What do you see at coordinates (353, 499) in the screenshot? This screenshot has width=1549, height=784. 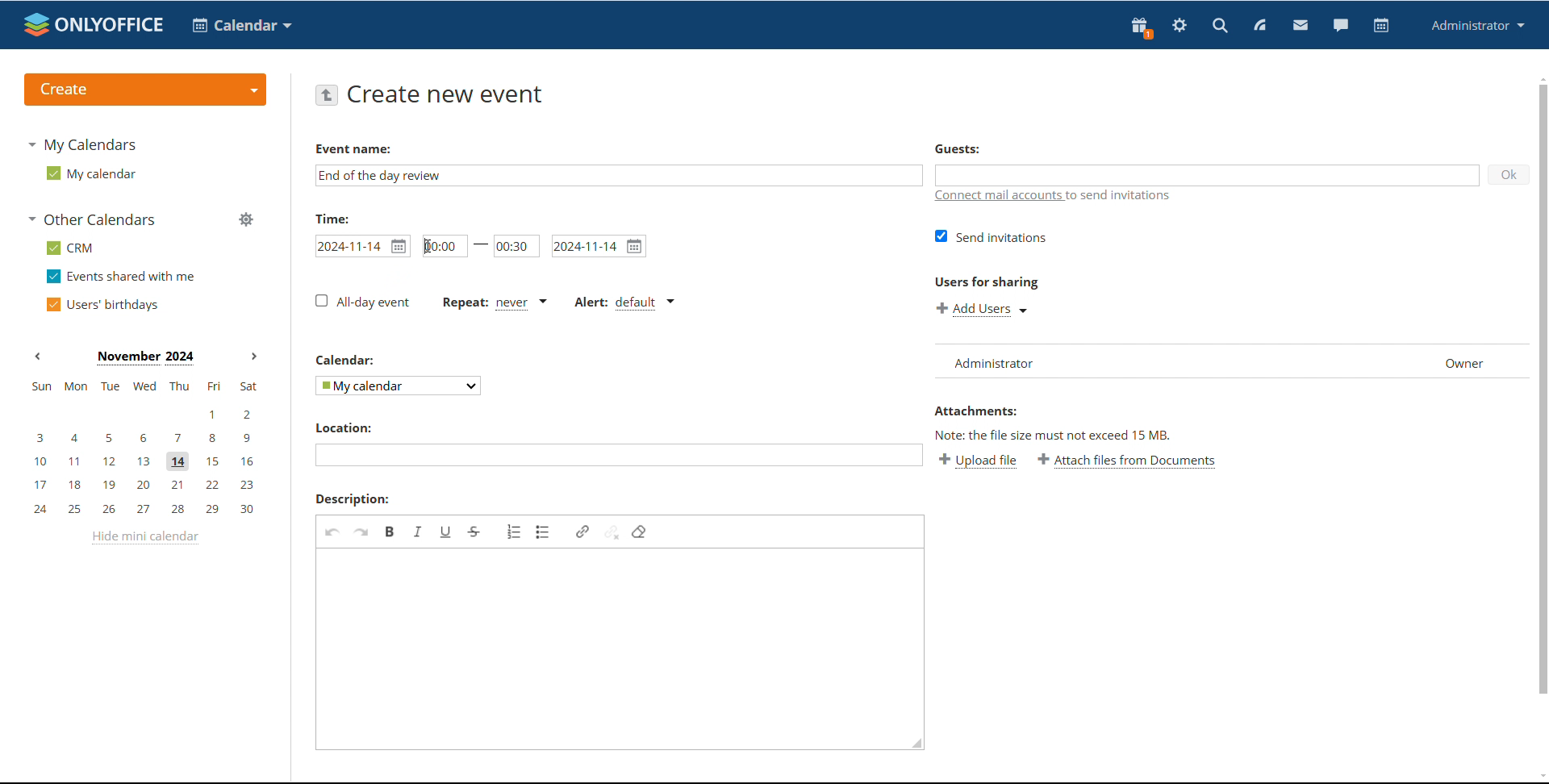 I see `description` at bounding box center [353, 499].